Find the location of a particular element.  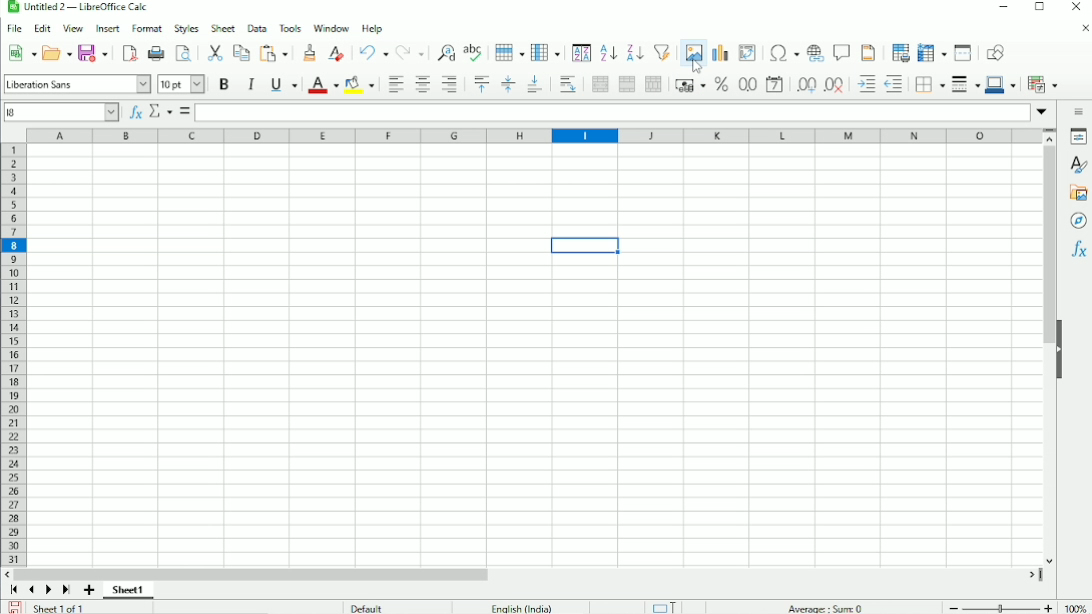

Find and replace is located at coordinates (445, 51).